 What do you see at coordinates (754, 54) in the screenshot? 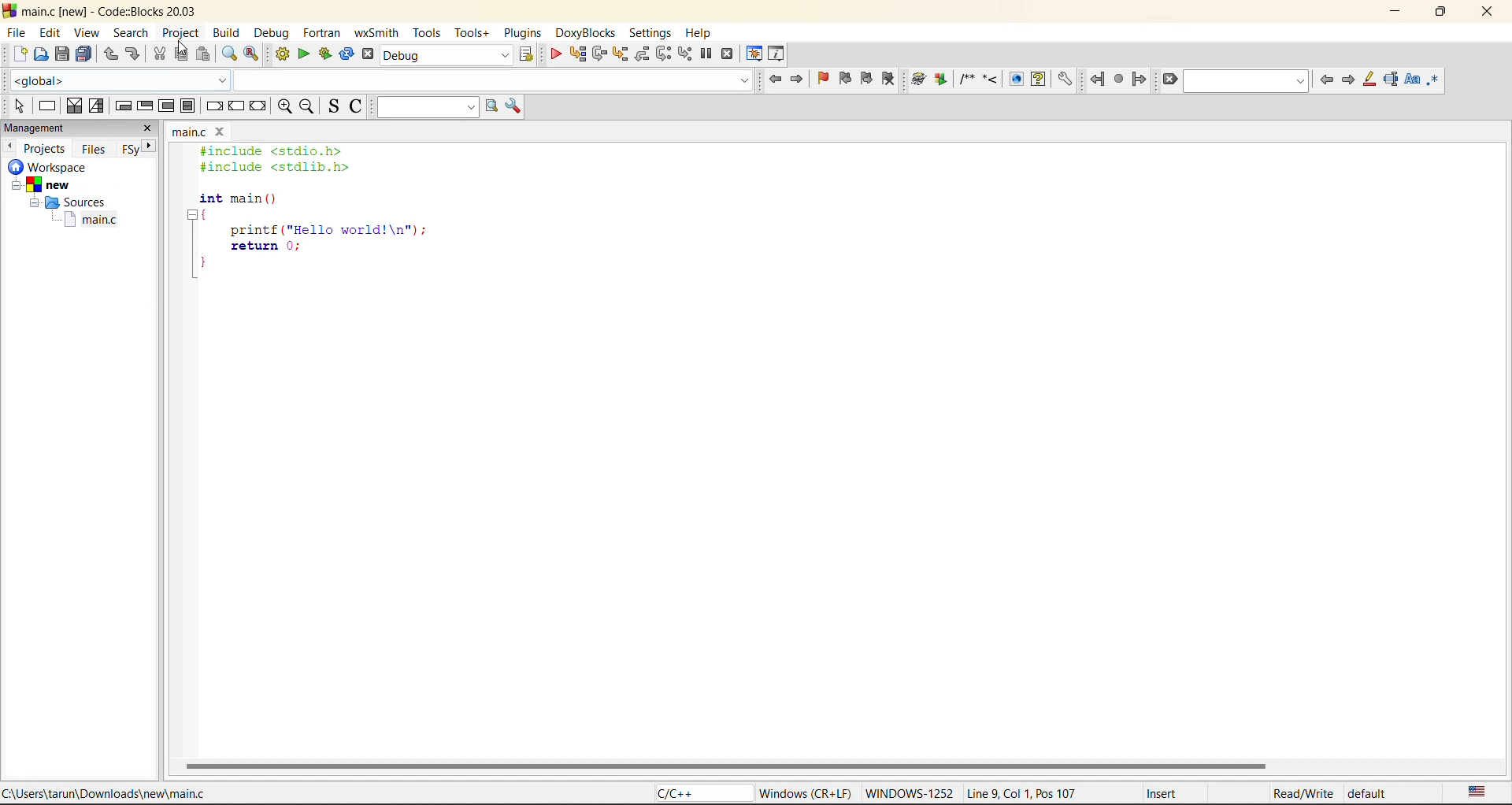
I see `debugging windows` at bounding box center [754, 54].